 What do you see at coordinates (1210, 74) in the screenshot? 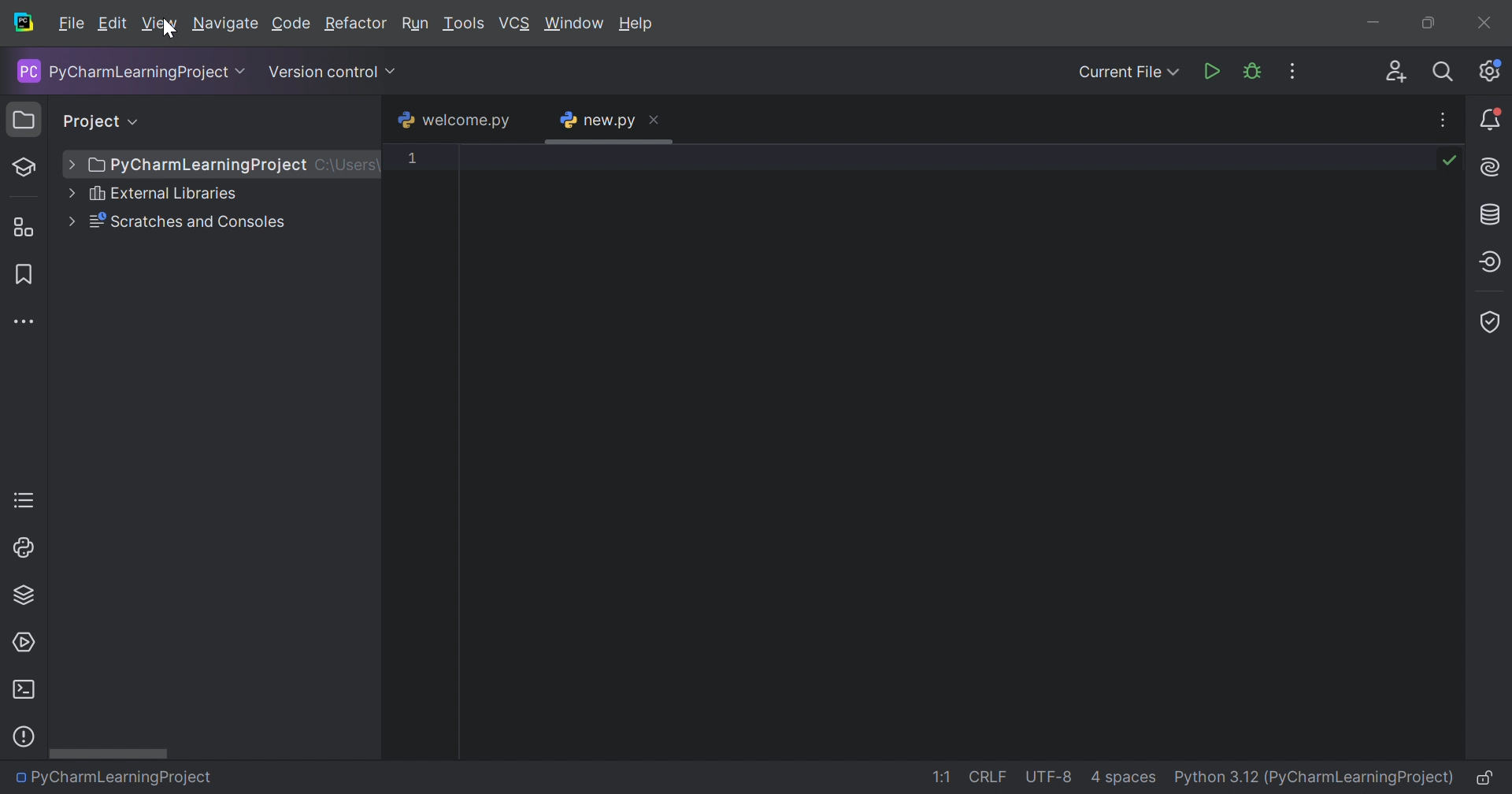
I see `Run 'new.py'` at bounding box center [1210, 74].